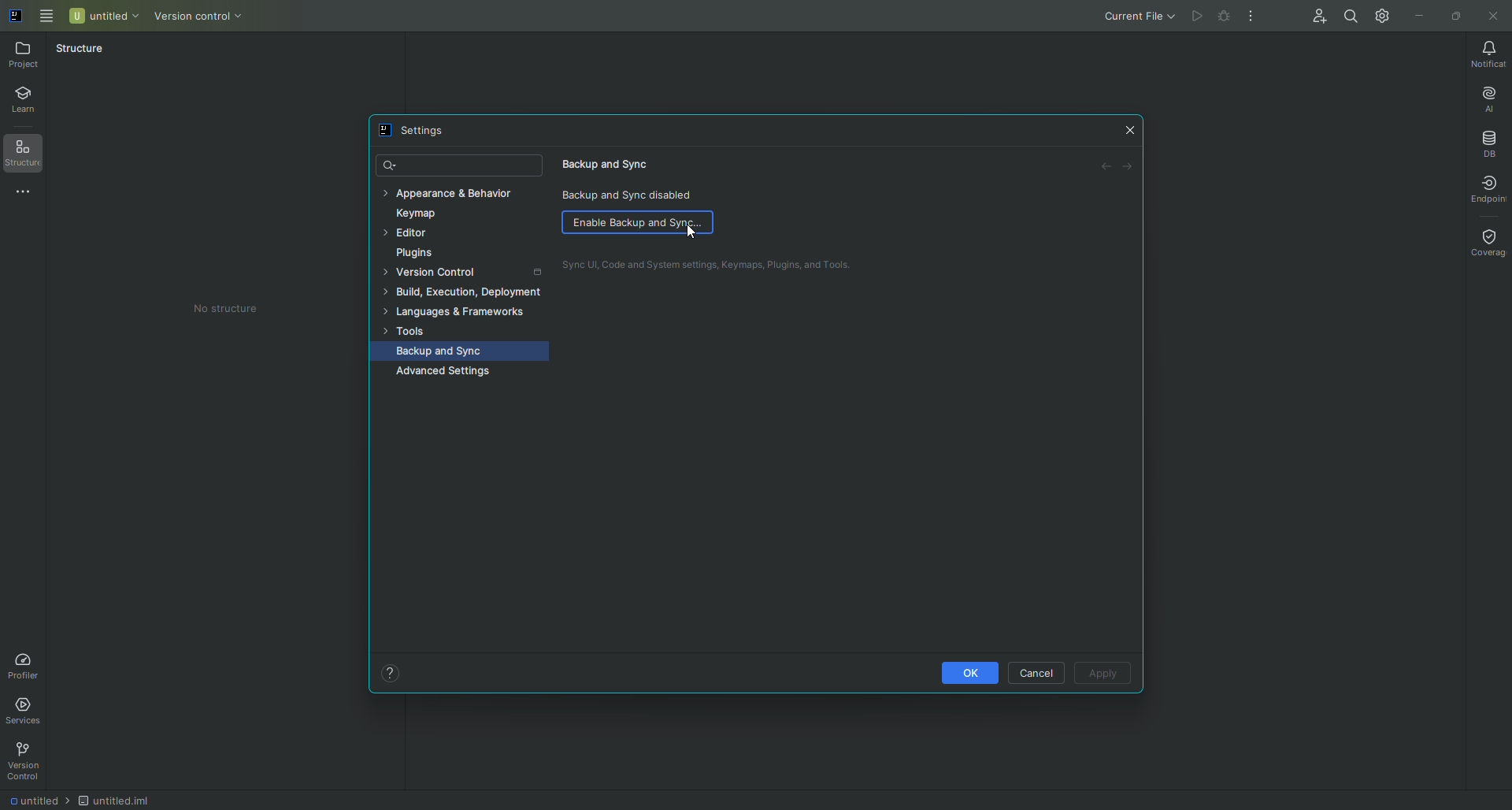 The height and width of the screenshot is (810, 1512). What do you see at coordinates (615, 162) in the screenshot?
I see `Backup and Sync` at bounding box center [615, 162].